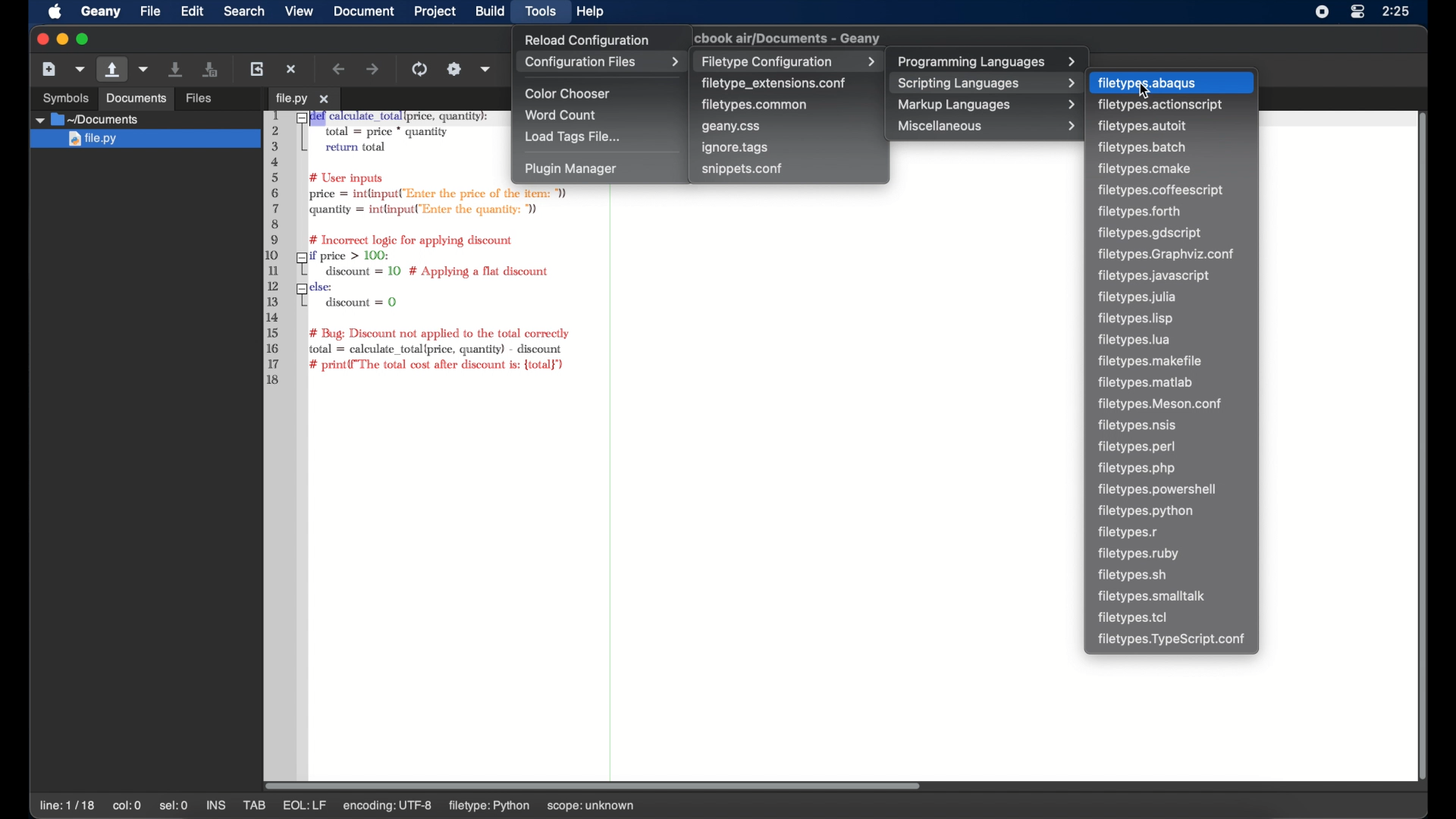 The width and height of the screenshot is (1456, 819). What do you see at coordinates (988, 62) in the screenshot?
I see `programming languages` at bounding box center [988, 62].